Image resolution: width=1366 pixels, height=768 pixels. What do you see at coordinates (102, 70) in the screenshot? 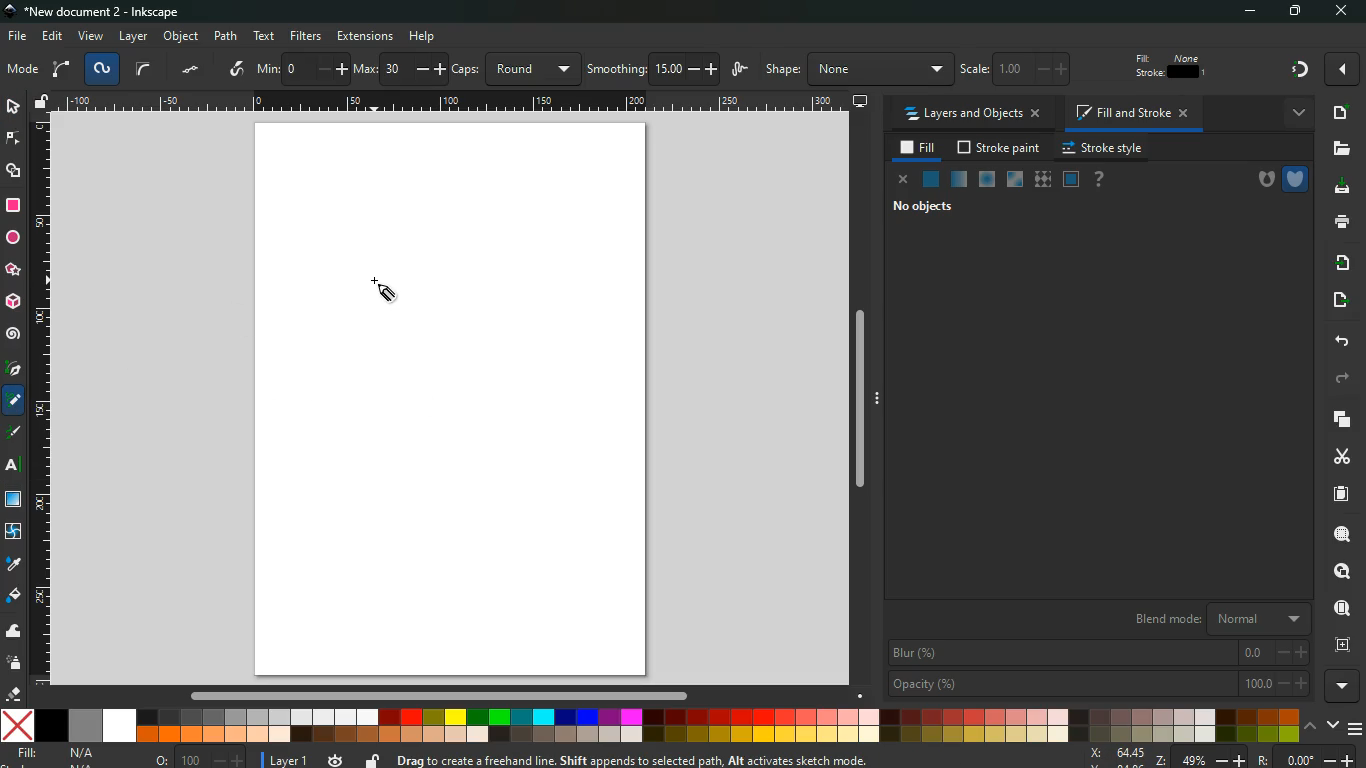
I see `spyro path` at bounding box center [102, 70].